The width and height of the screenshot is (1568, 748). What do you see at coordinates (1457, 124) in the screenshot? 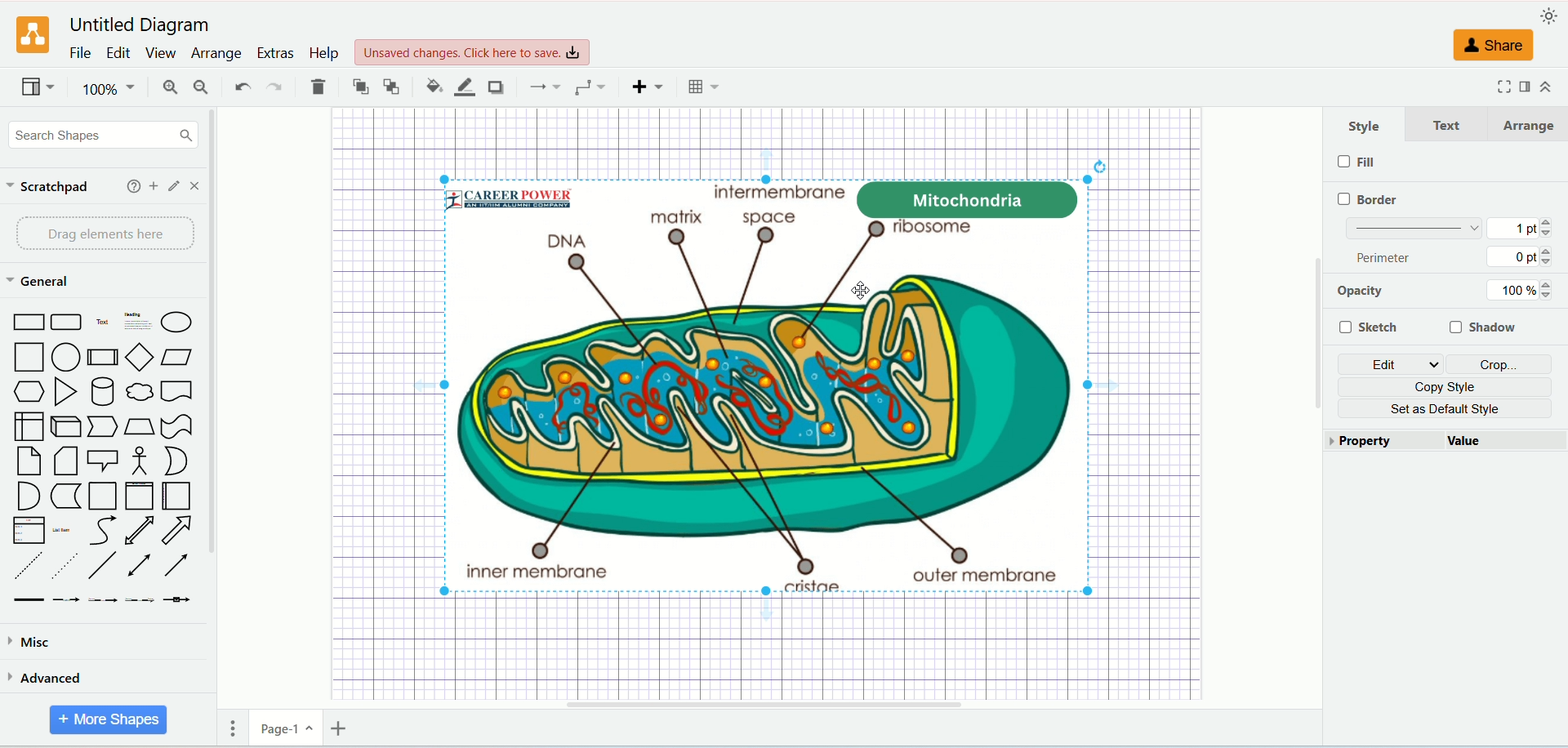
I see `text` at bounding box center [1457, 124].